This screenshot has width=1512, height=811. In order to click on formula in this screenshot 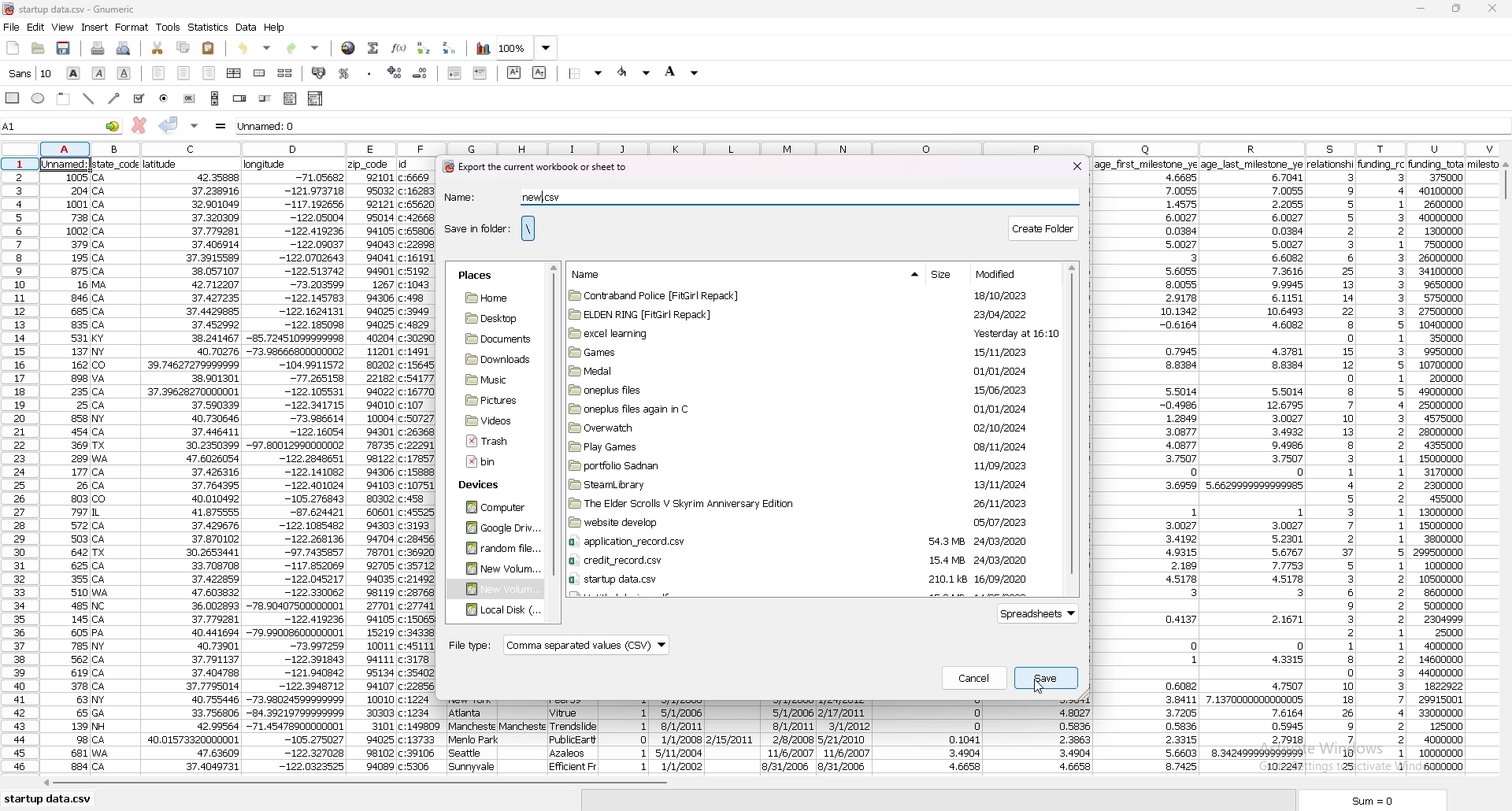, I will do `click(221, 126)`.